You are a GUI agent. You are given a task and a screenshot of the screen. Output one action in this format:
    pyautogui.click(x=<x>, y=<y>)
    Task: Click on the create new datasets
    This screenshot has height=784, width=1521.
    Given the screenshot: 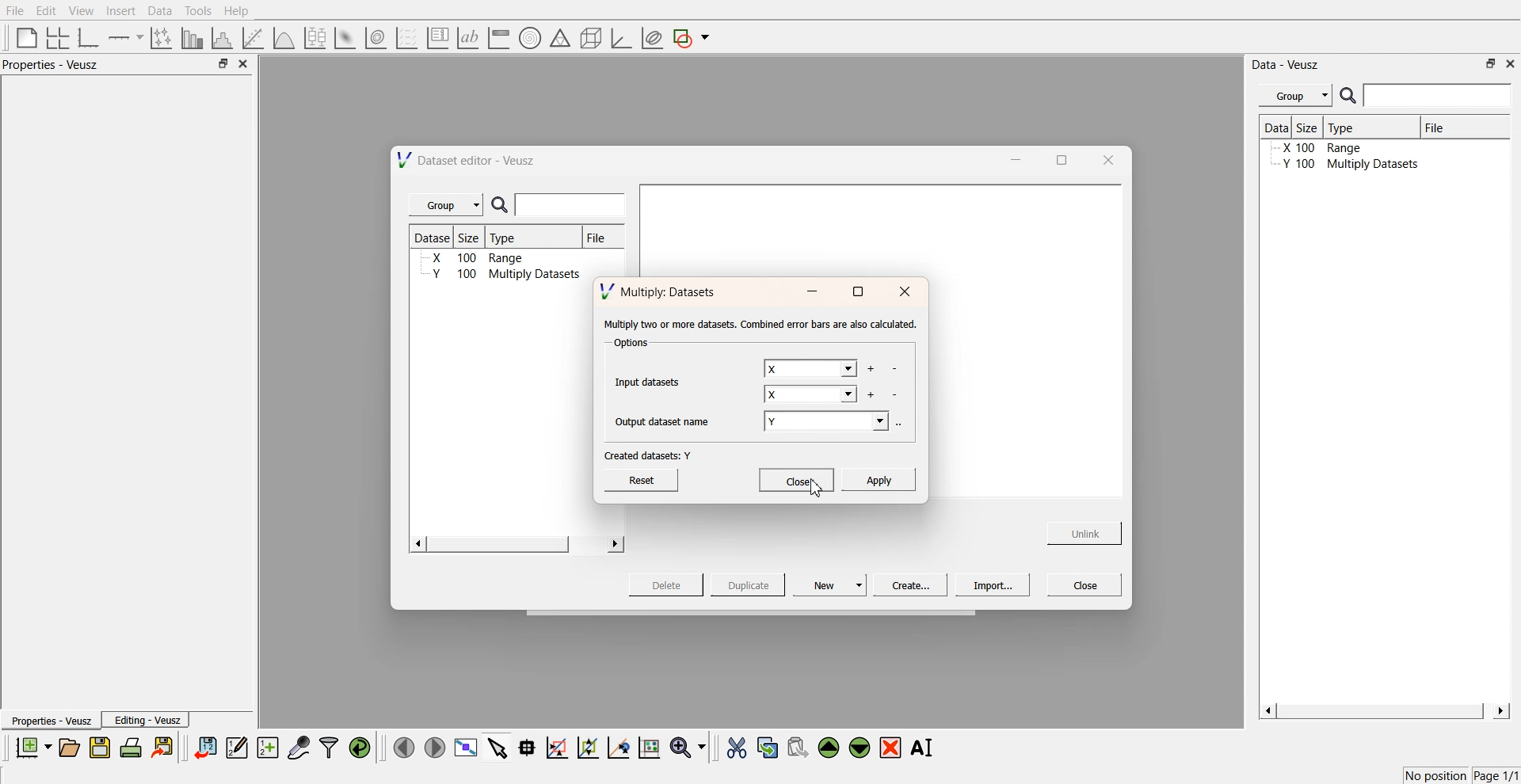 What is the action you would take?
    pyautogui.click(x=268, y=748)
    